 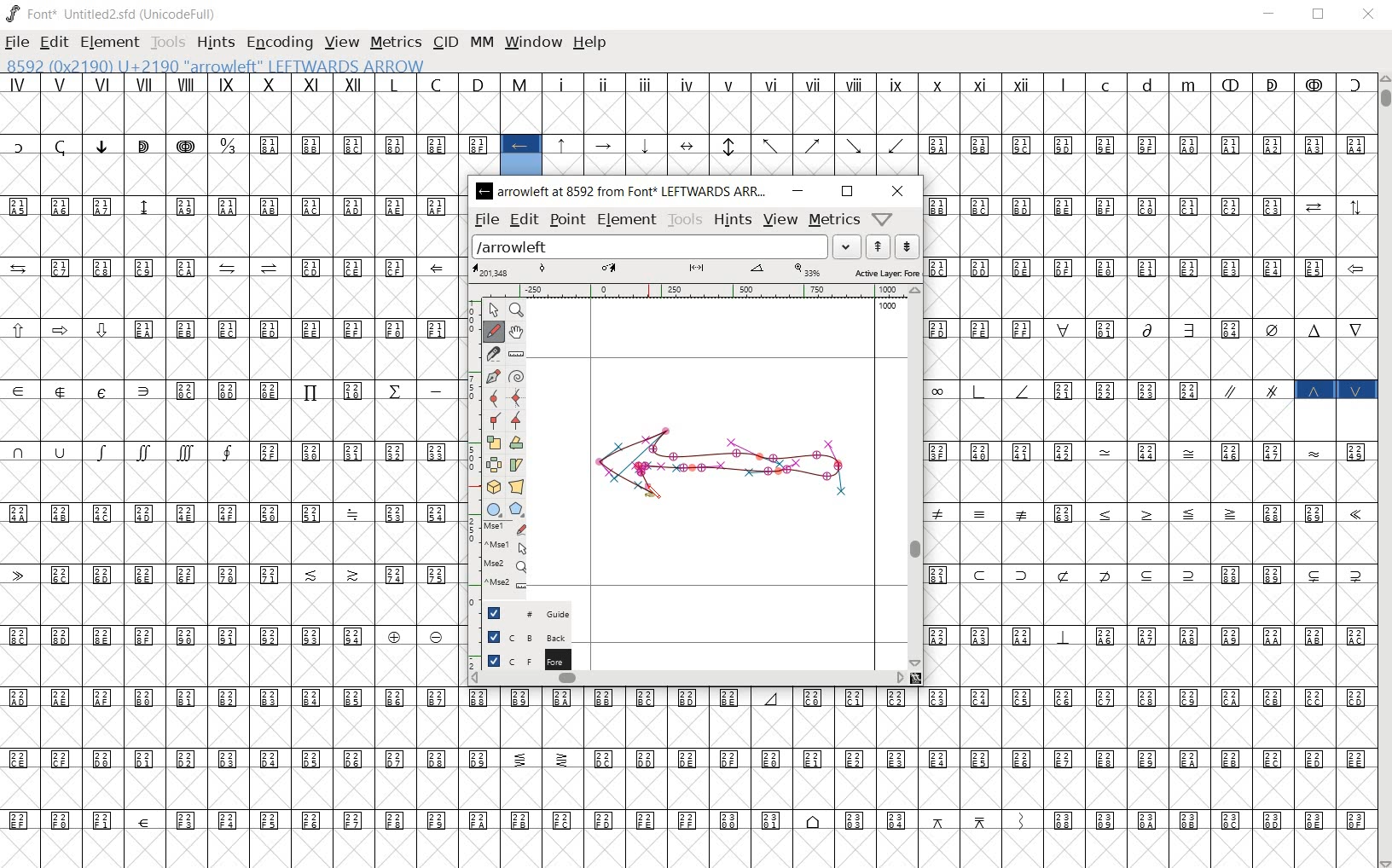 I want to click on scrollbar, so click(x=687, y=679).